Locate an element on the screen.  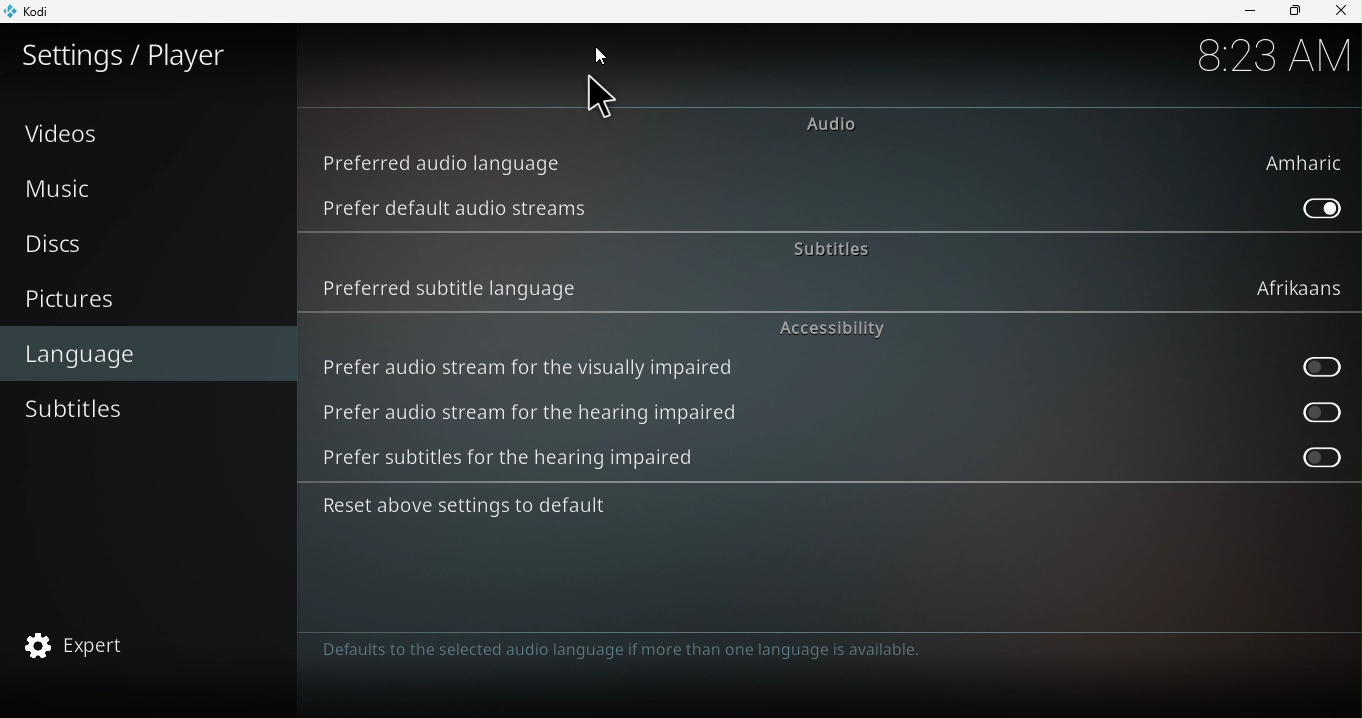
Prefer audio stream for the visually impaired is located at coordinates (1312, 369).